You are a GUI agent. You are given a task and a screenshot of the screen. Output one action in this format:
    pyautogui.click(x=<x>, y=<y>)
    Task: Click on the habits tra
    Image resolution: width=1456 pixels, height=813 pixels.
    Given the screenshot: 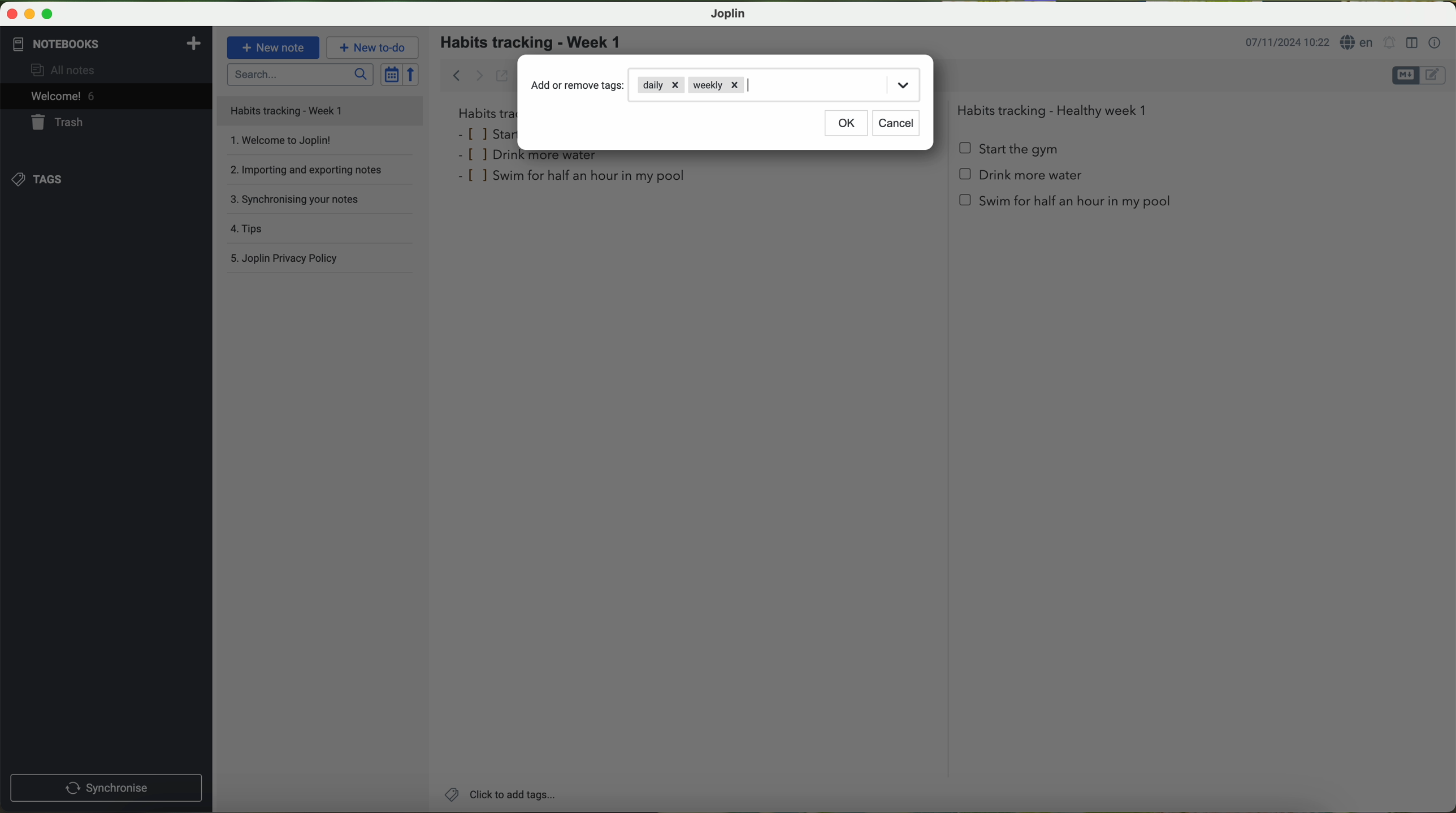 What is the action you would take?
    pyautogui.click(x=485, y=113)
    